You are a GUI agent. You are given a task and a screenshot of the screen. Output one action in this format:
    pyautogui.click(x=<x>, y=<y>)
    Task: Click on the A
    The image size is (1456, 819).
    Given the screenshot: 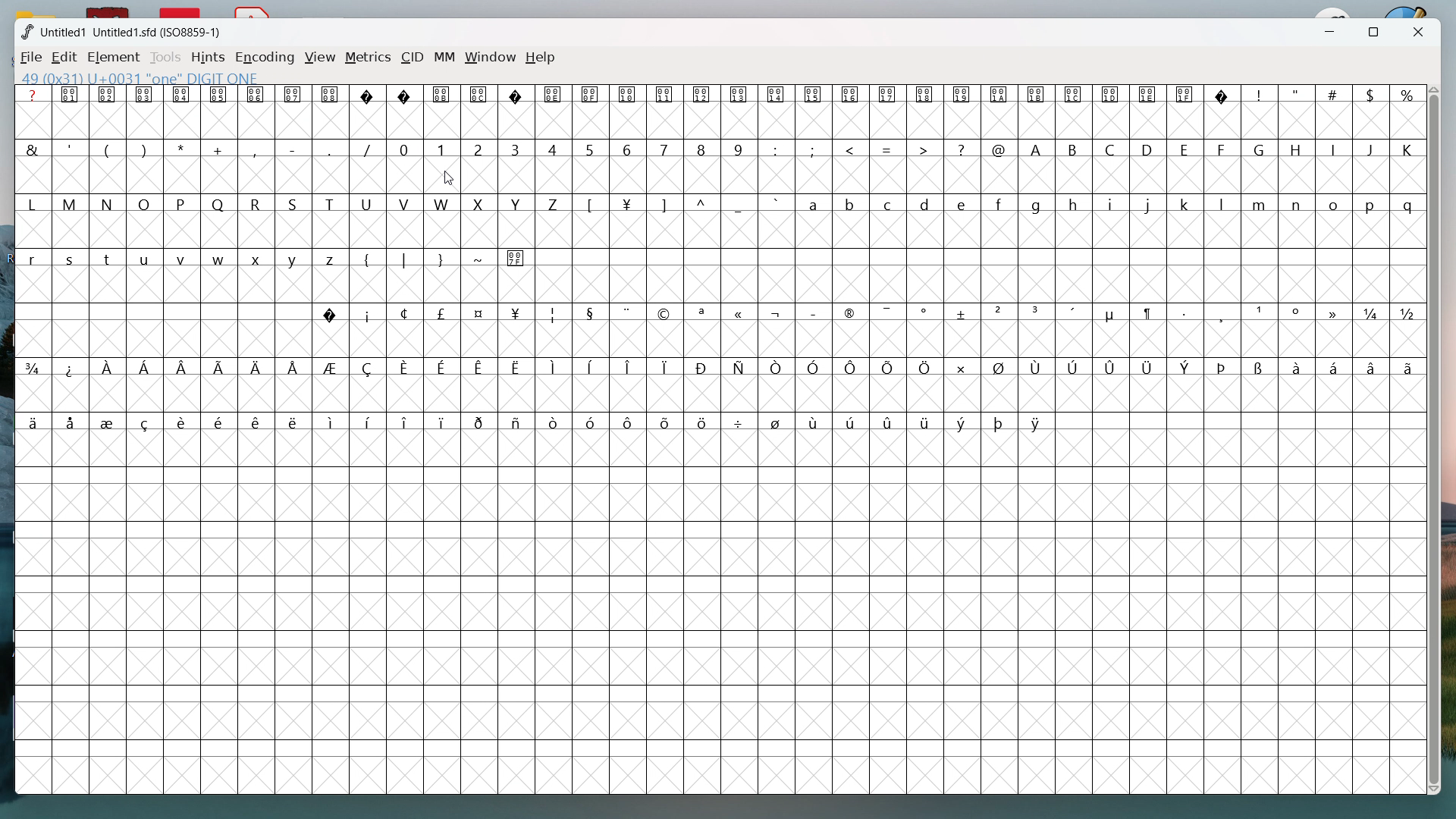 What is the action you would take?
    pyautogui.click(x=1036, y=149)
    